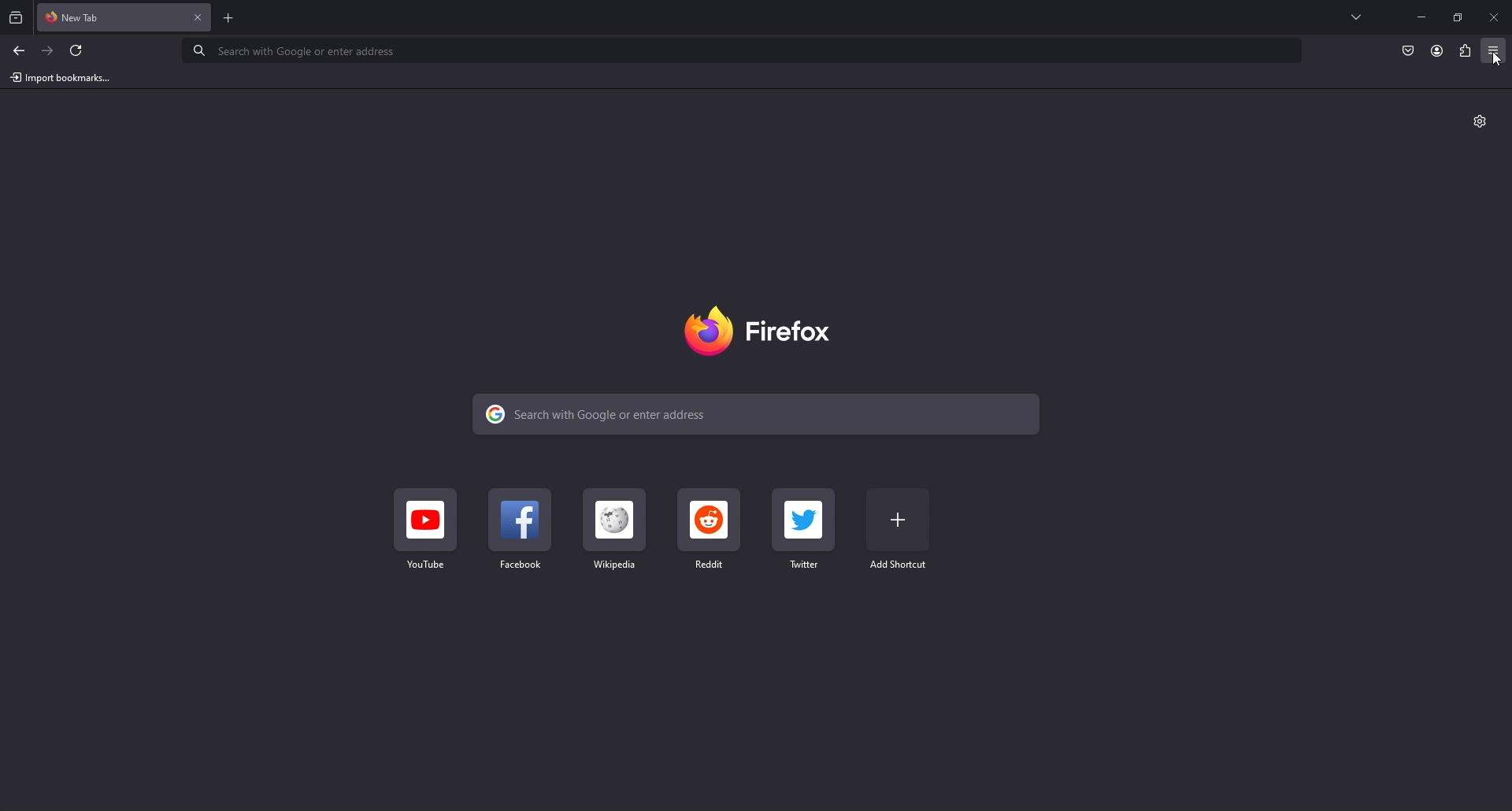  Describe the element at coordinates (740, 49) in the screenshot. I see `search bar` at that location.